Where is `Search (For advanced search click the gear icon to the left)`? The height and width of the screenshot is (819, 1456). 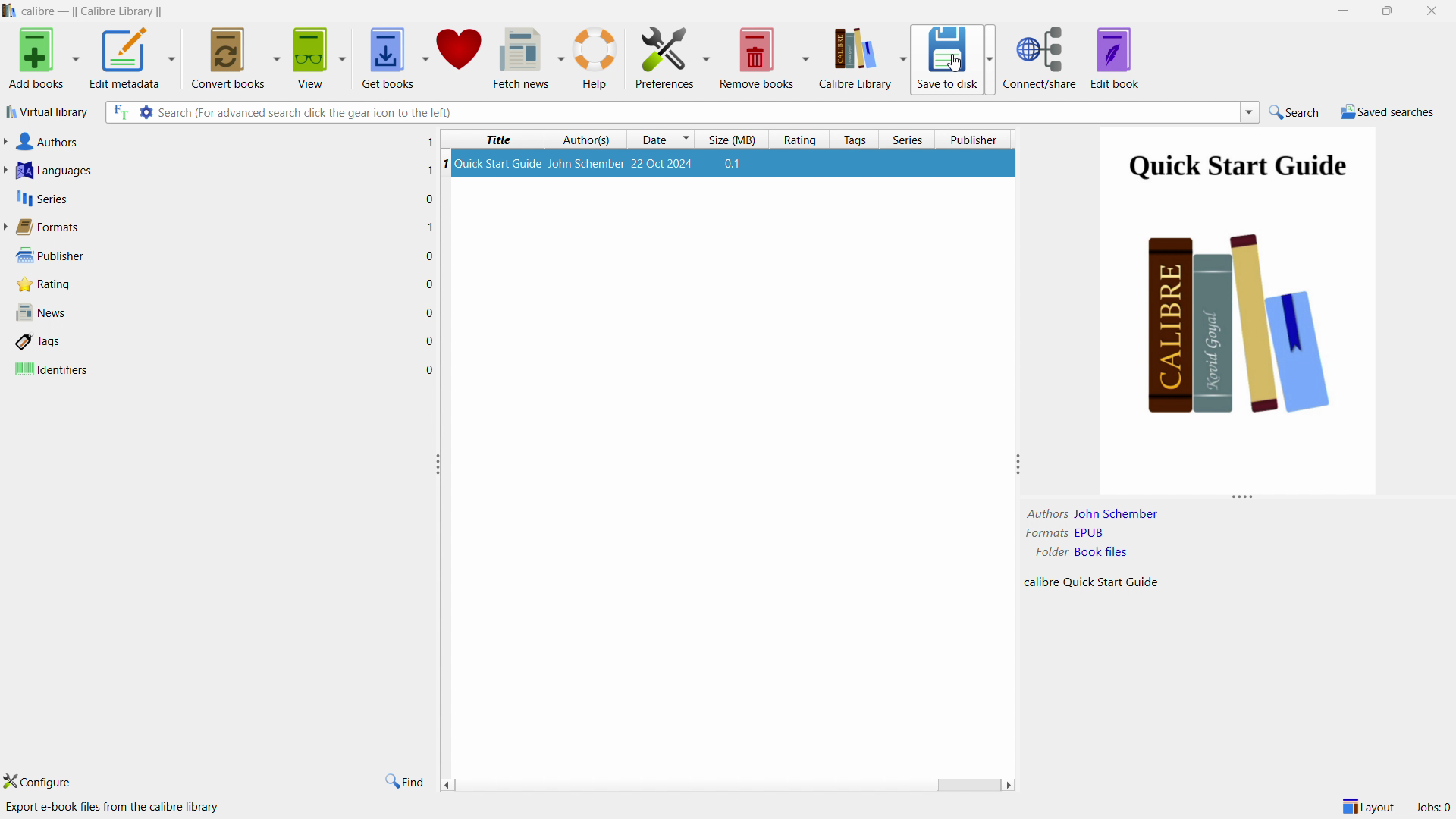 Search (For advanced search click the gear icon to the left) is located at coordinates (305, 113).